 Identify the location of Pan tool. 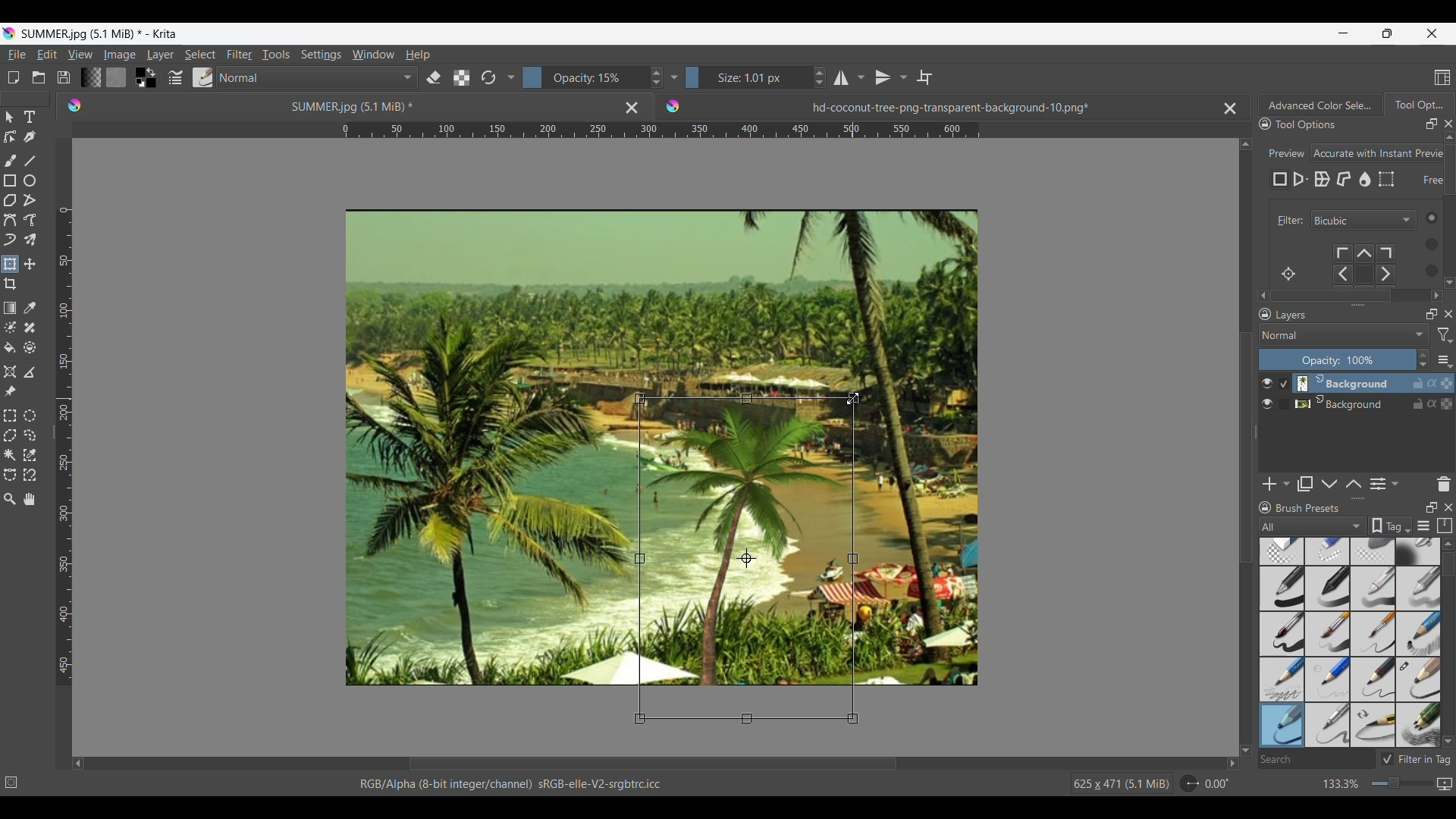
(30, 499).